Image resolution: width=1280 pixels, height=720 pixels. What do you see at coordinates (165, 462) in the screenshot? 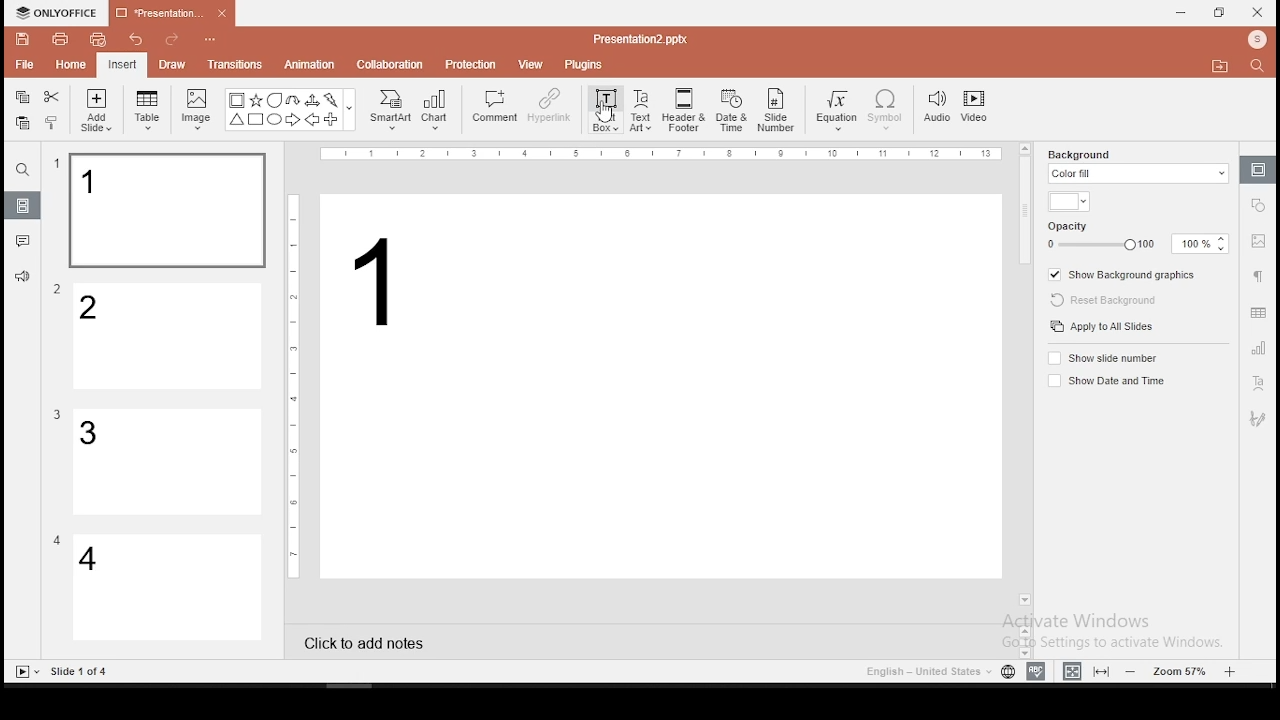
I see `slide 3` at bounding box center [165, 462].